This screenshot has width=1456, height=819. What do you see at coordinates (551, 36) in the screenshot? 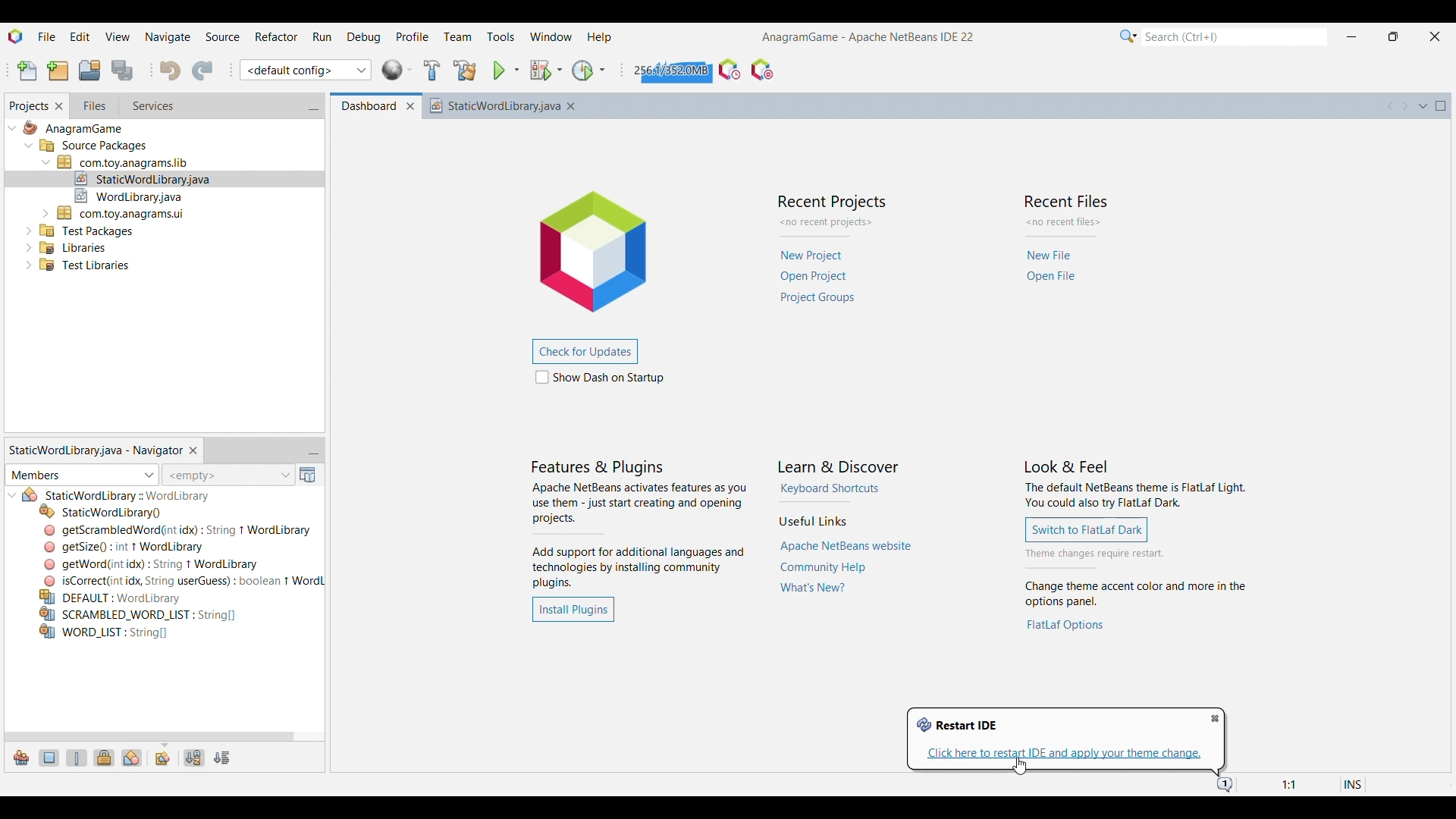
I see `Window menu highlighted` at bounding box center [551, 36].